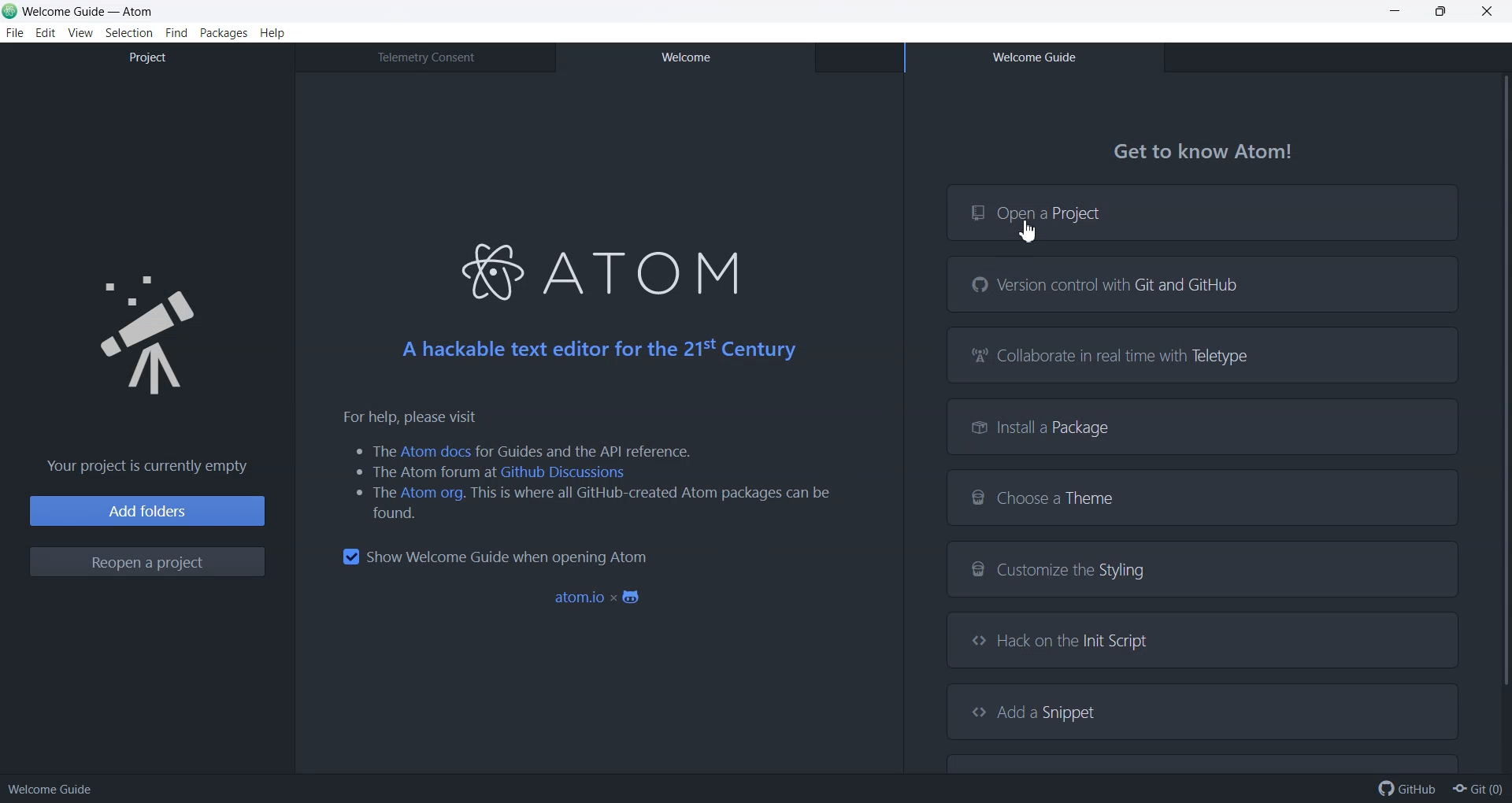  Describe the element at coordinates (522, 450) in the screenshot. I see `The Atom docs for Guides and the API reference.` at that location.